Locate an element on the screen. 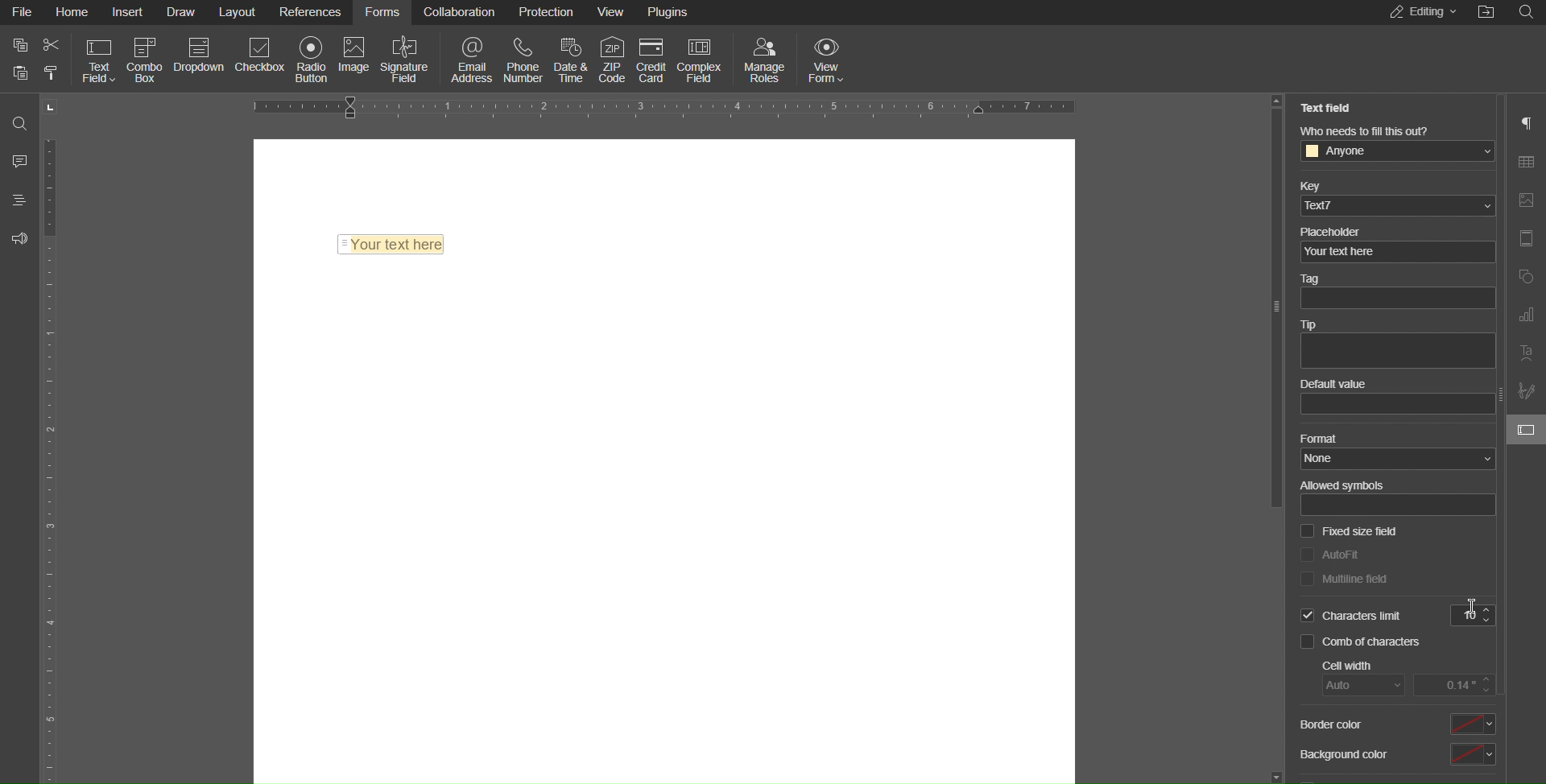 This screenshot has width=1546, height=784. Text Field is located at coordinates (391, 241).